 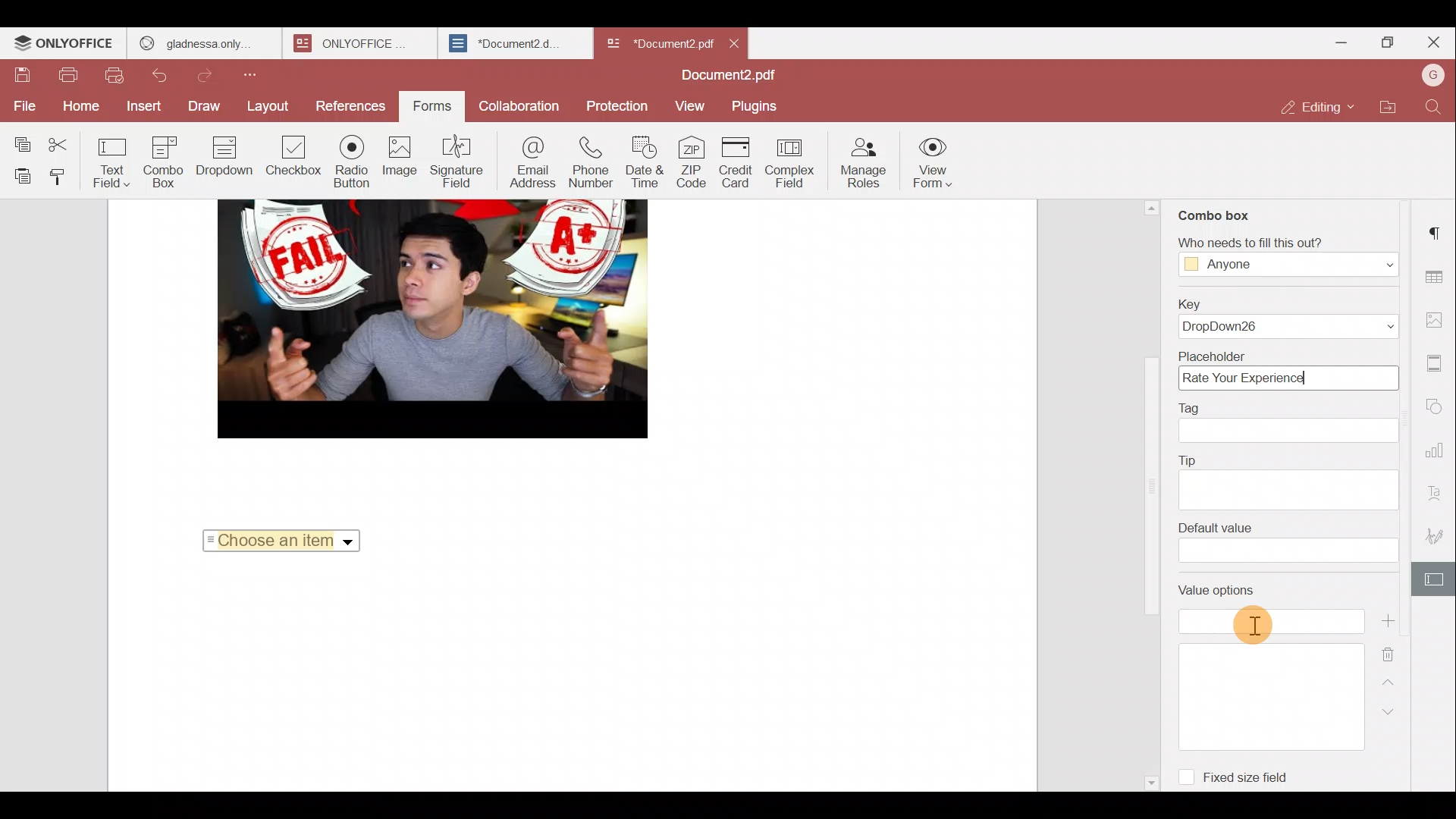 What do you see at coordinates (1280, 256) in the screenshot?
I see `‘Who needs to fill this out?` at bounding box center [1280, 256].